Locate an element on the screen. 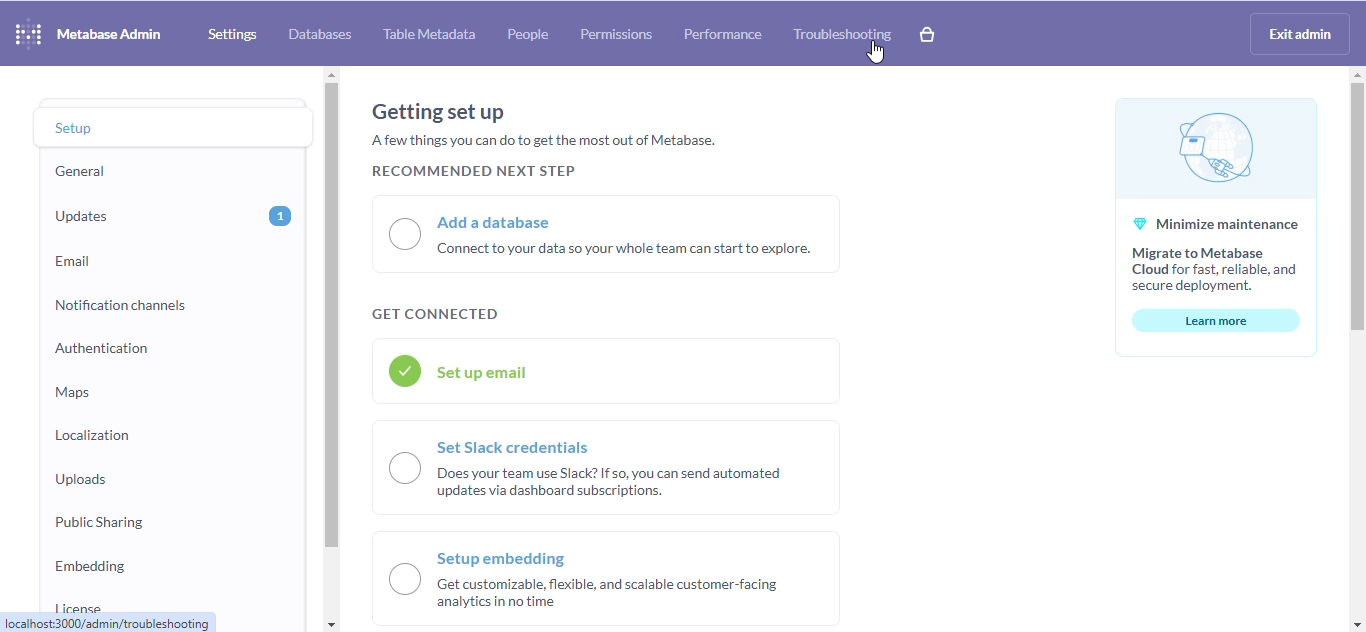 The image size is (1366, 632). metabase admin is located at coordinates (110, 34).